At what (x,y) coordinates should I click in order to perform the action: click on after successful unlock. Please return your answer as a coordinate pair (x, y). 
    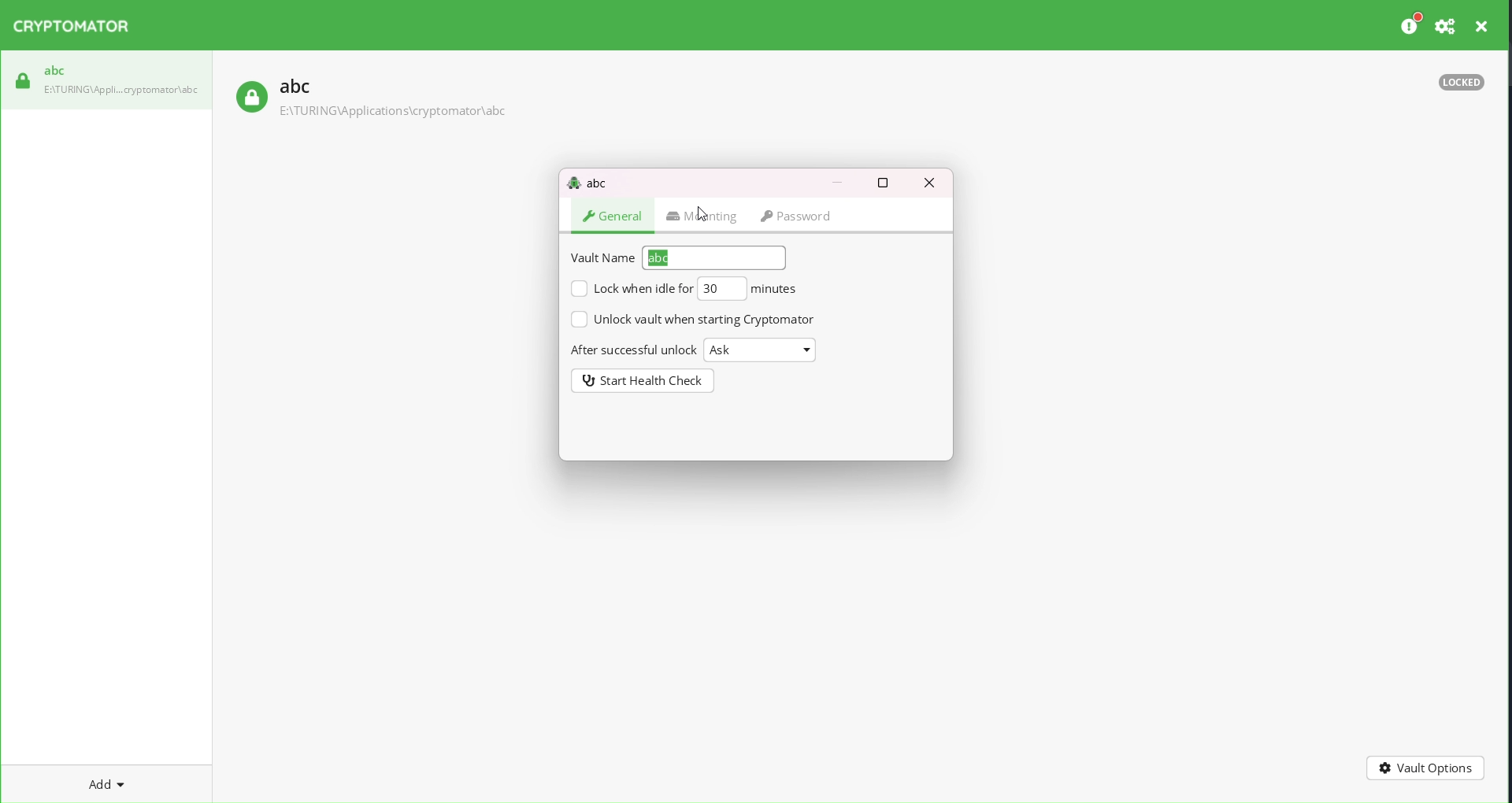
    Looking at the image, I should click on (633, 348).